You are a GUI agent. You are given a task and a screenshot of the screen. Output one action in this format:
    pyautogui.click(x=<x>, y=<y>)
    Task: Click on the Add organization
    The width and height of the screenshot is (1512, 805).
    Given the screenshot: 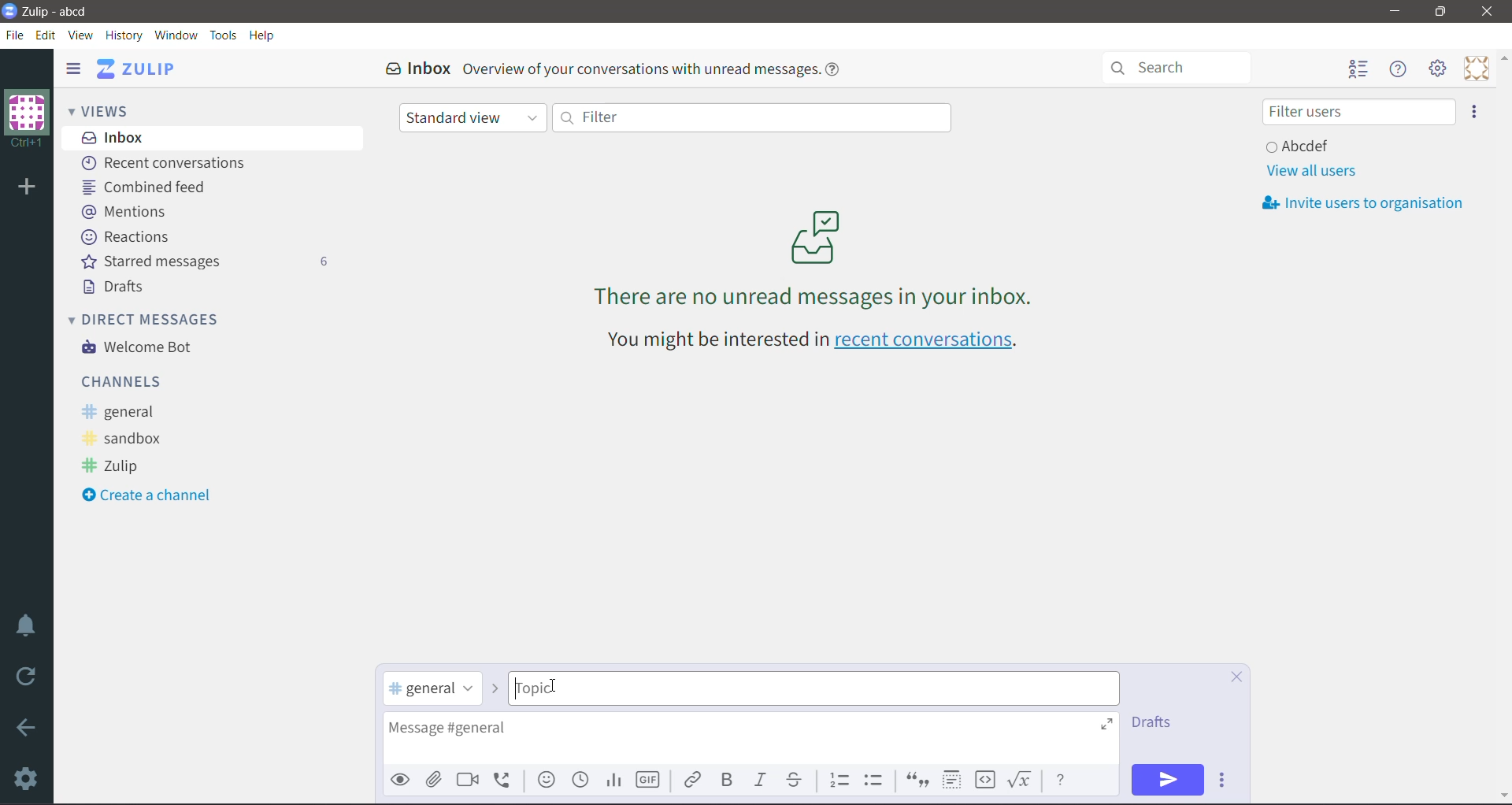 What is the action you would take?
    pyautogui.click(x=25, y=188)
    